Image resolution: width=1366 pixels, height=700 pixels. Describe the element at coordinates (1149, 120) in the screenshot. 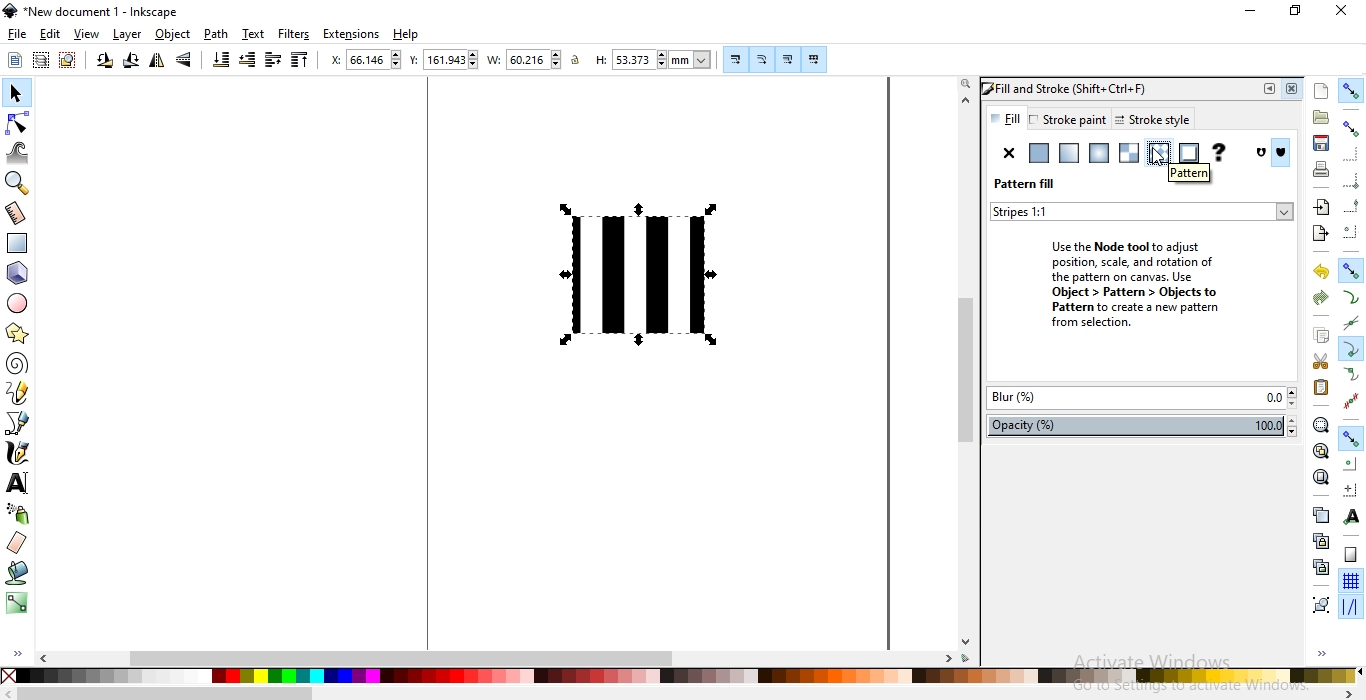

I see `stroke style` at that location.